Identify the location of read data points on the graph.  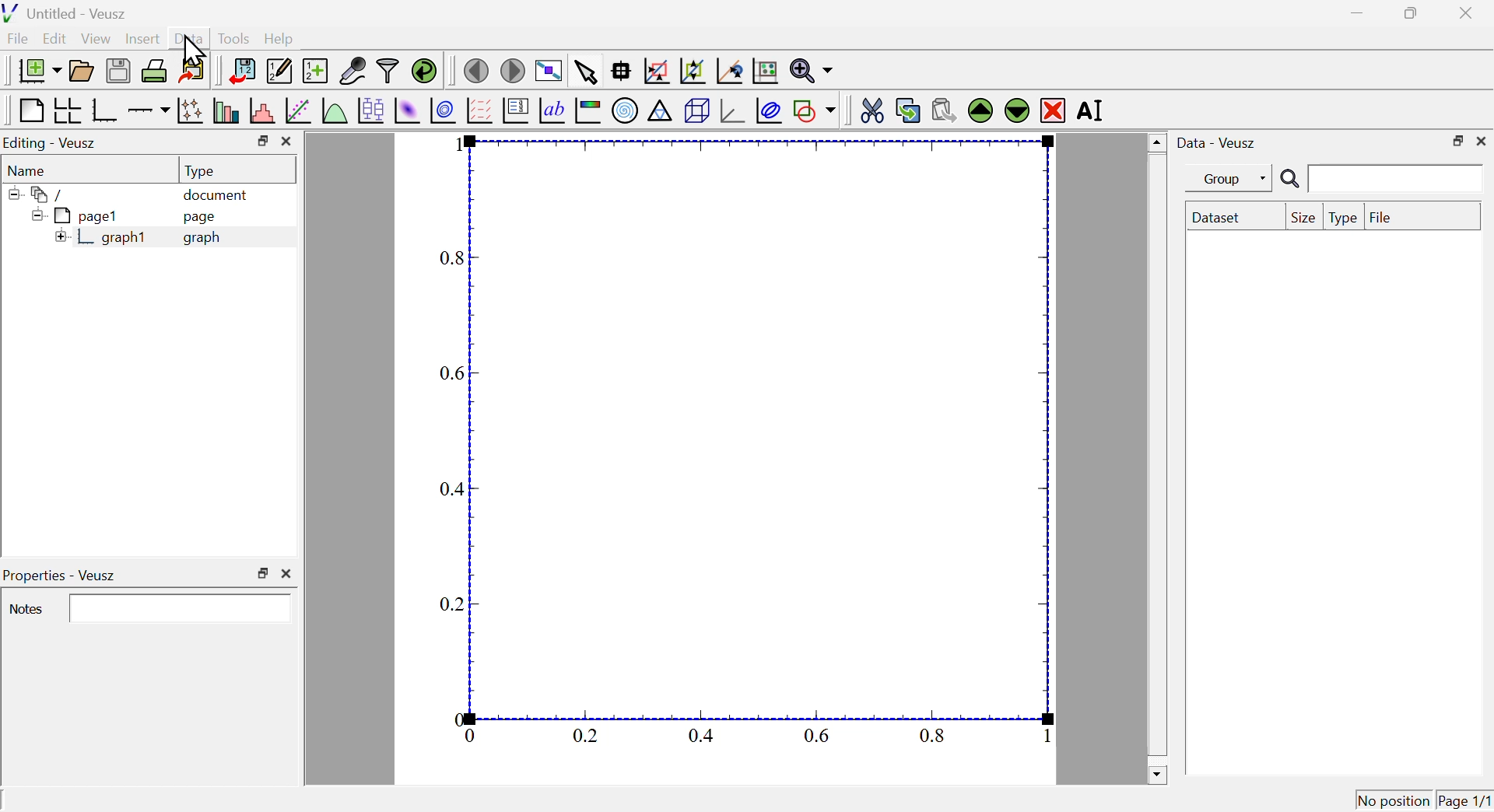
(622, 72).